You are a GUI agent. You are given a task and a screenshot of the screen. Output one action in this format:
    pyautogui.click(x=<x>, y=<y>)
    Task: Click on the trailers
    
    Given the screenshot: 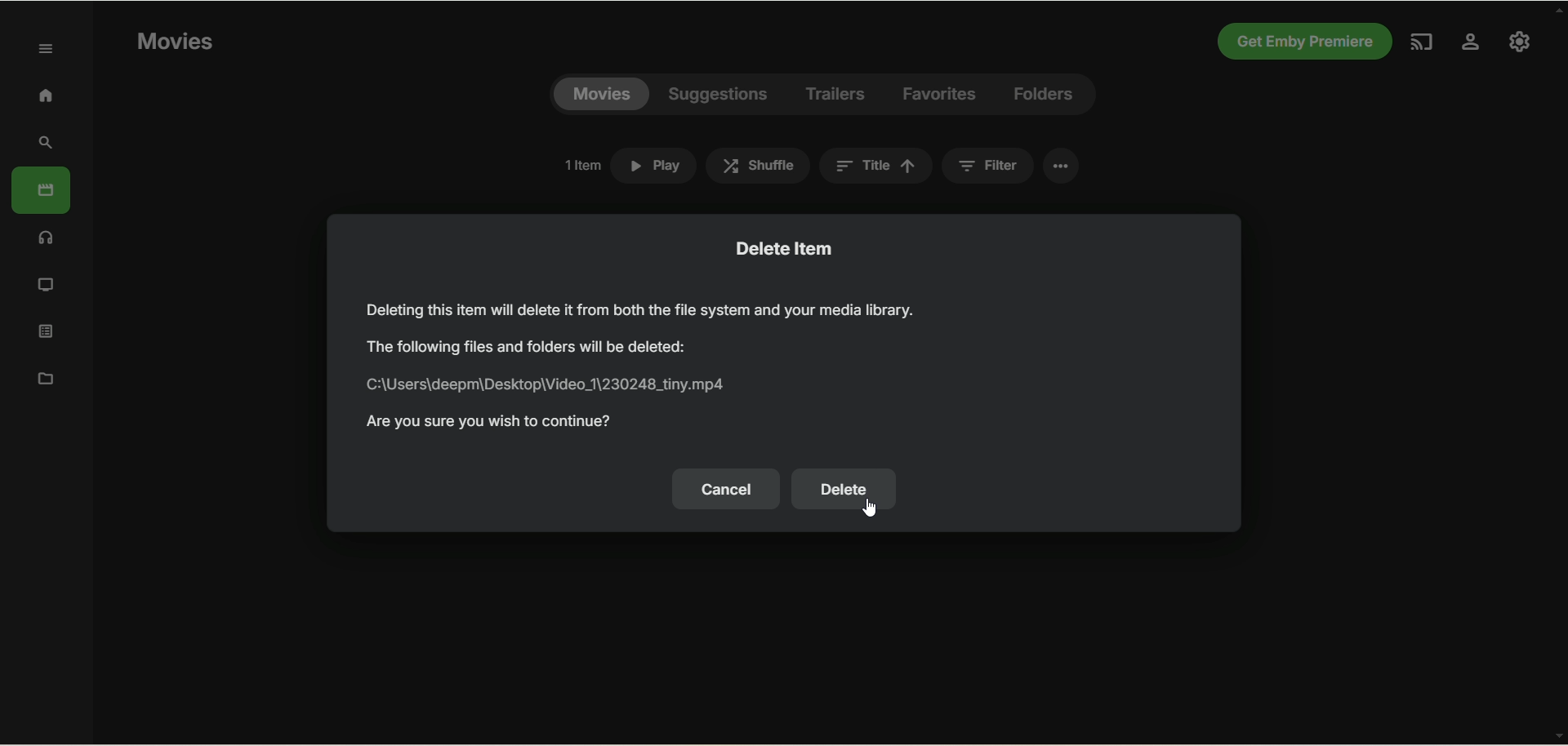 What is the action you would take?
    pyautogui.click(x=836, y=95)
    